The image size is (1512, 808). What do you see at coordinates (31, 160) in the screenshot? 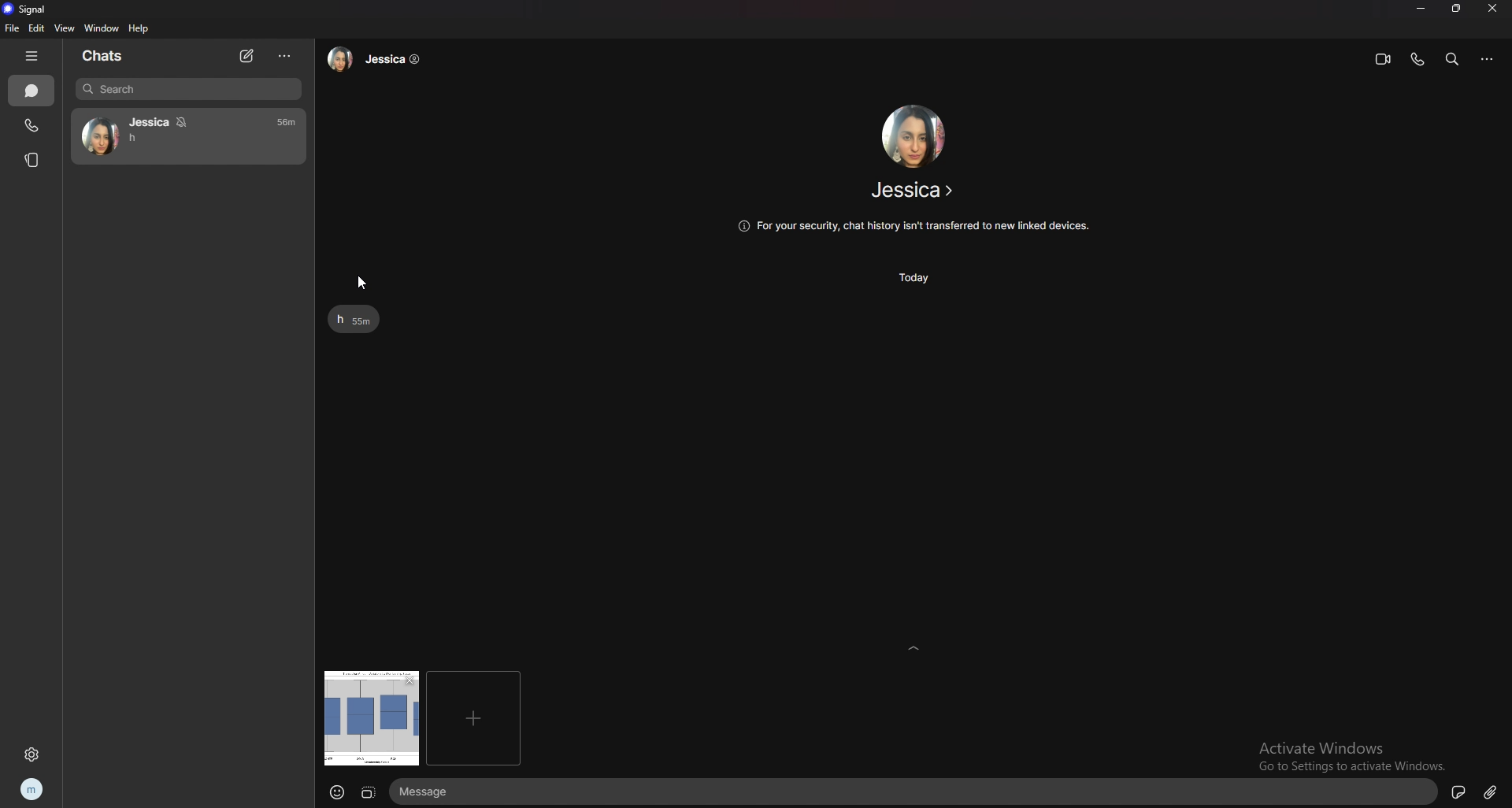
I see `stories` at bounding box center [31, 160].